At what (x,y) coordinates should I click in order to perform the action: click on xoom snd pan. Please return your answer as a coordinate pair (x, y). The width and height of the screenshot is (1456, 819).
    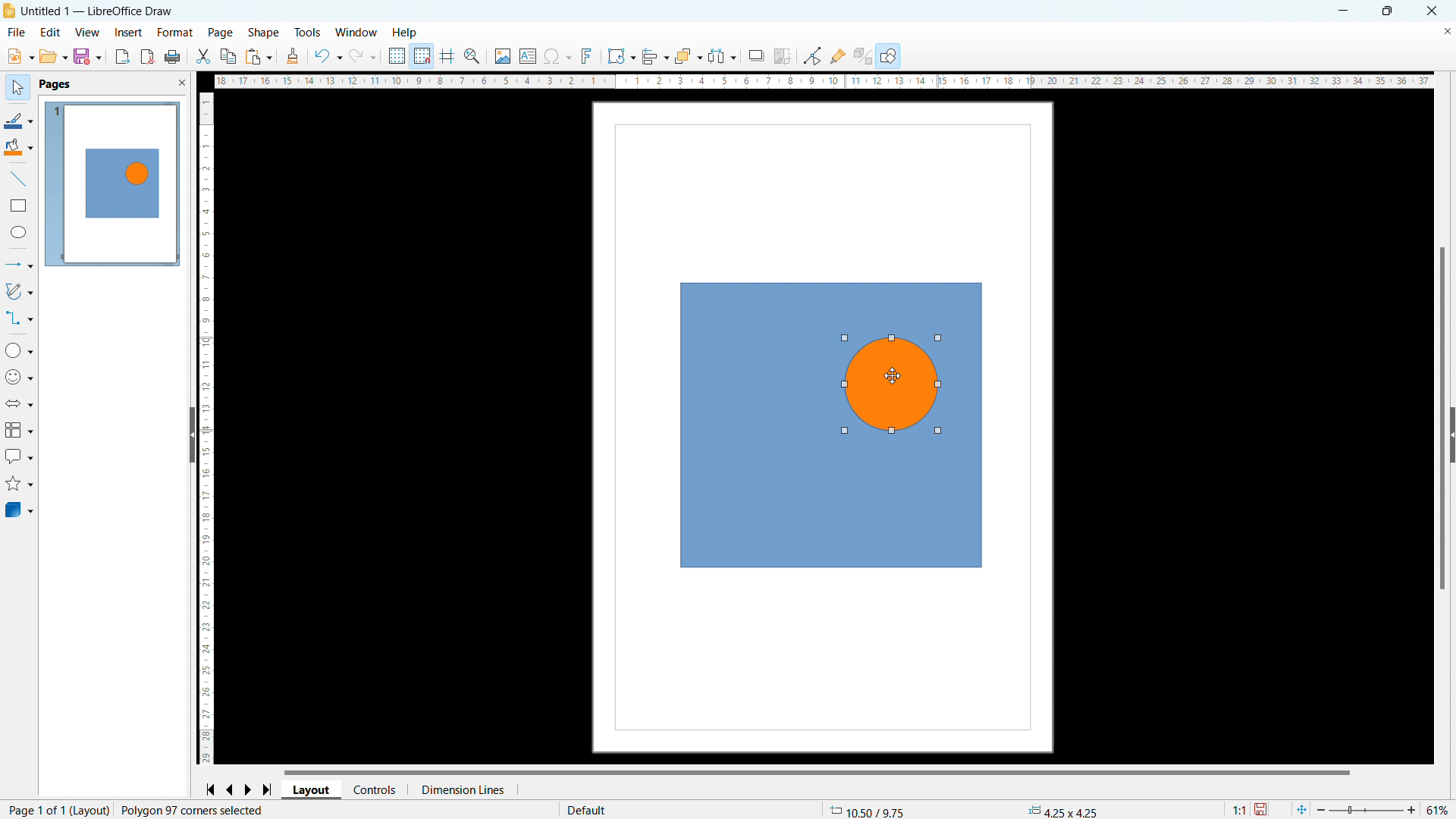
    Looking at the image, I should click on (471, 56).